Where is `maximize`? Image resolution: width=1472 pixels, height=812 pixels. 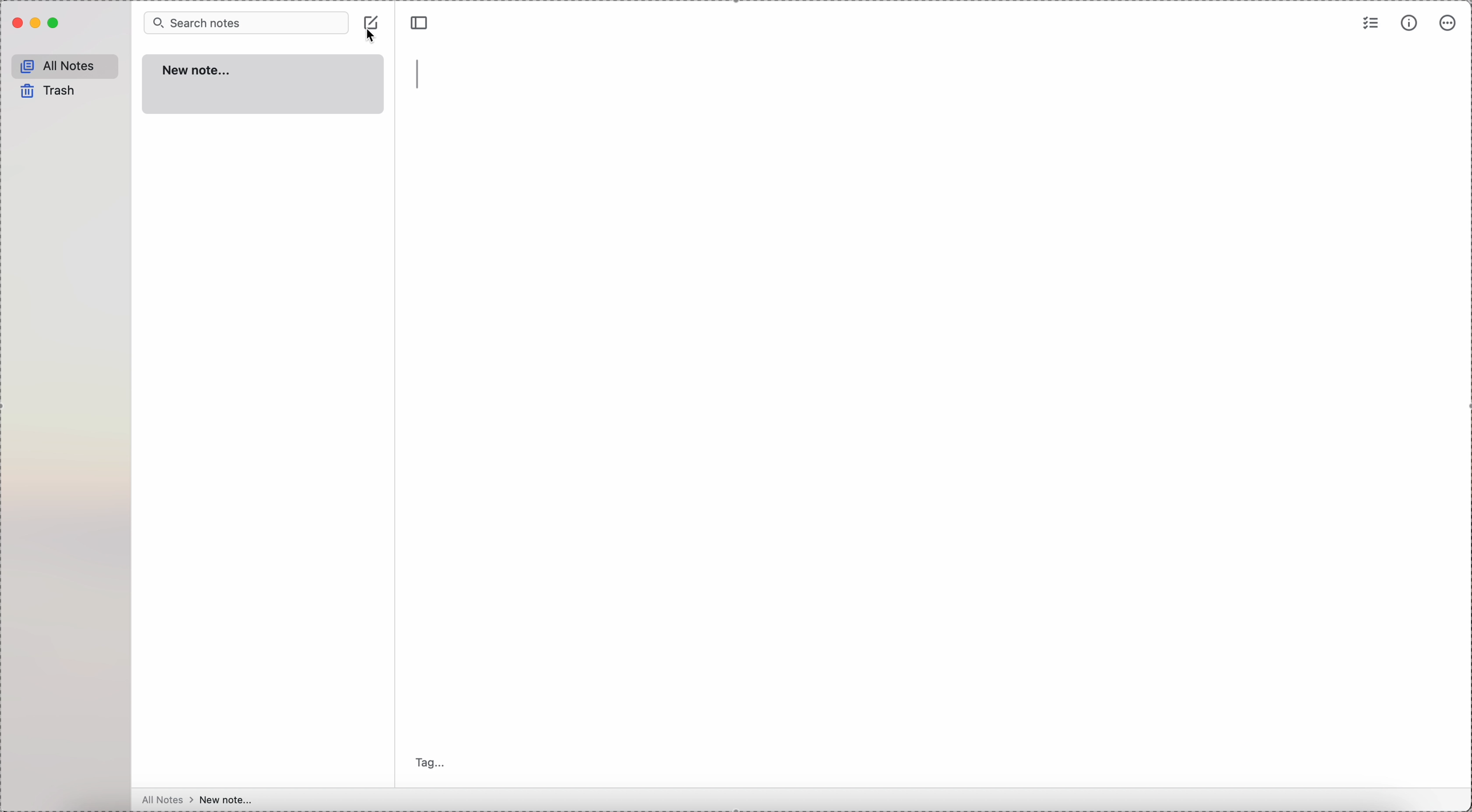 maximize is located at coordinates (54, 24).